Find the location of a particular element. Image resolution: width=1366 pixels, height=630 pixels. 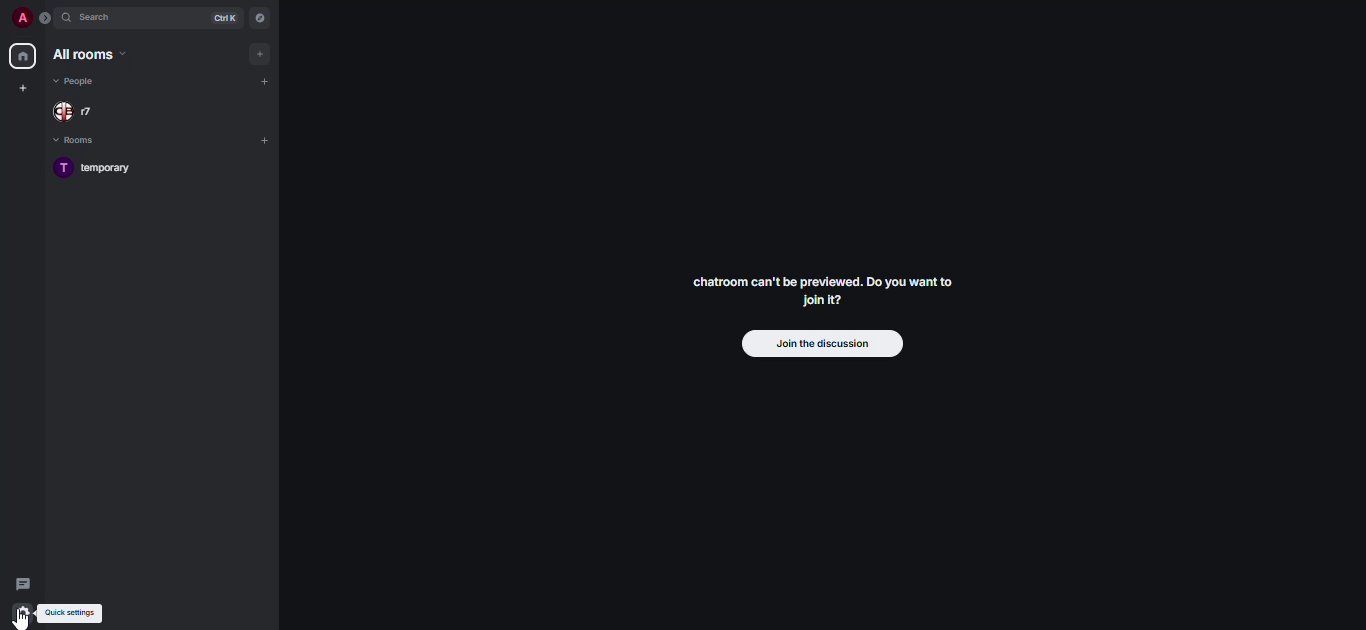

people is located at coordinates (80, 112).